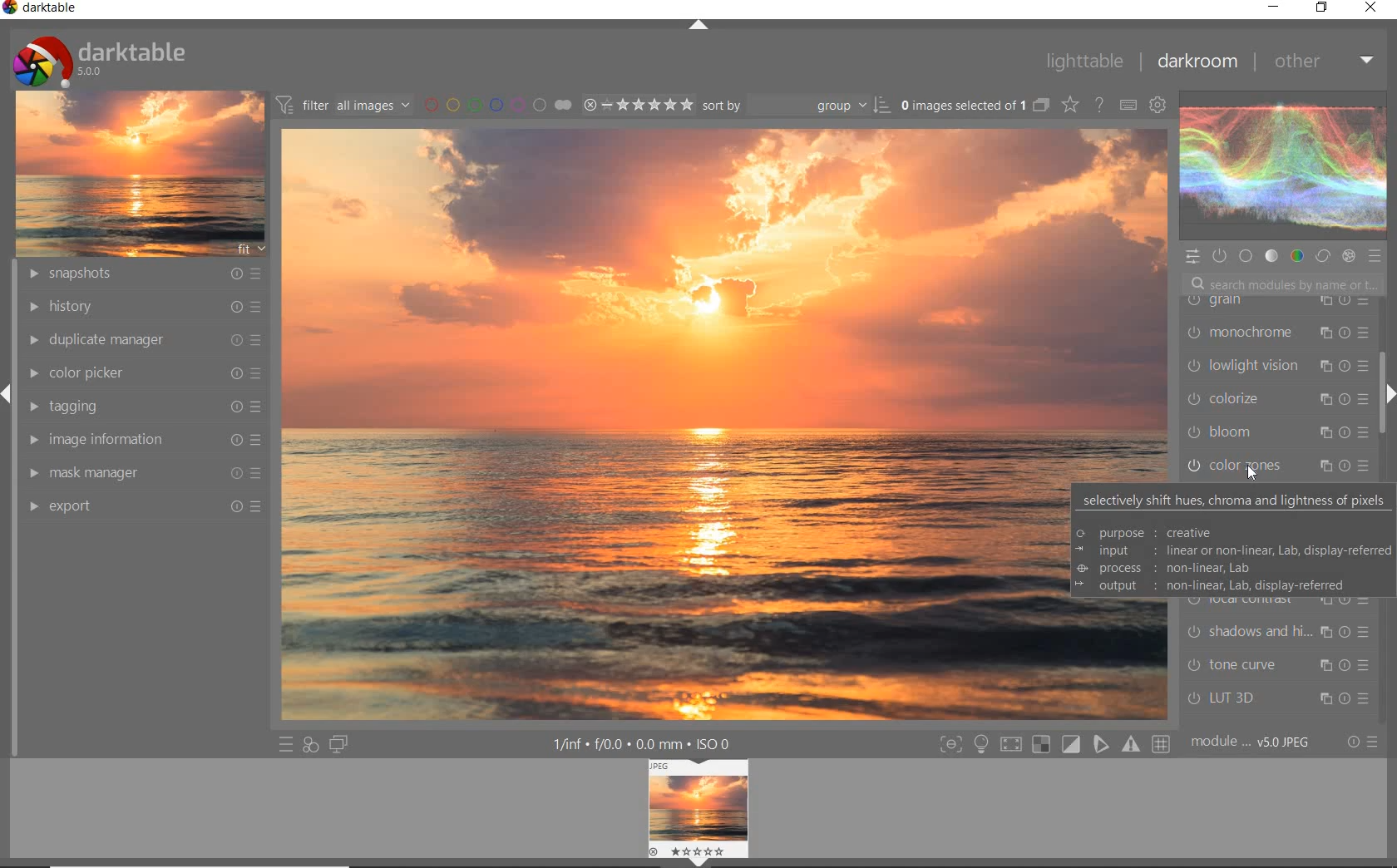  I want to click on bloom, so click(1277, 435).